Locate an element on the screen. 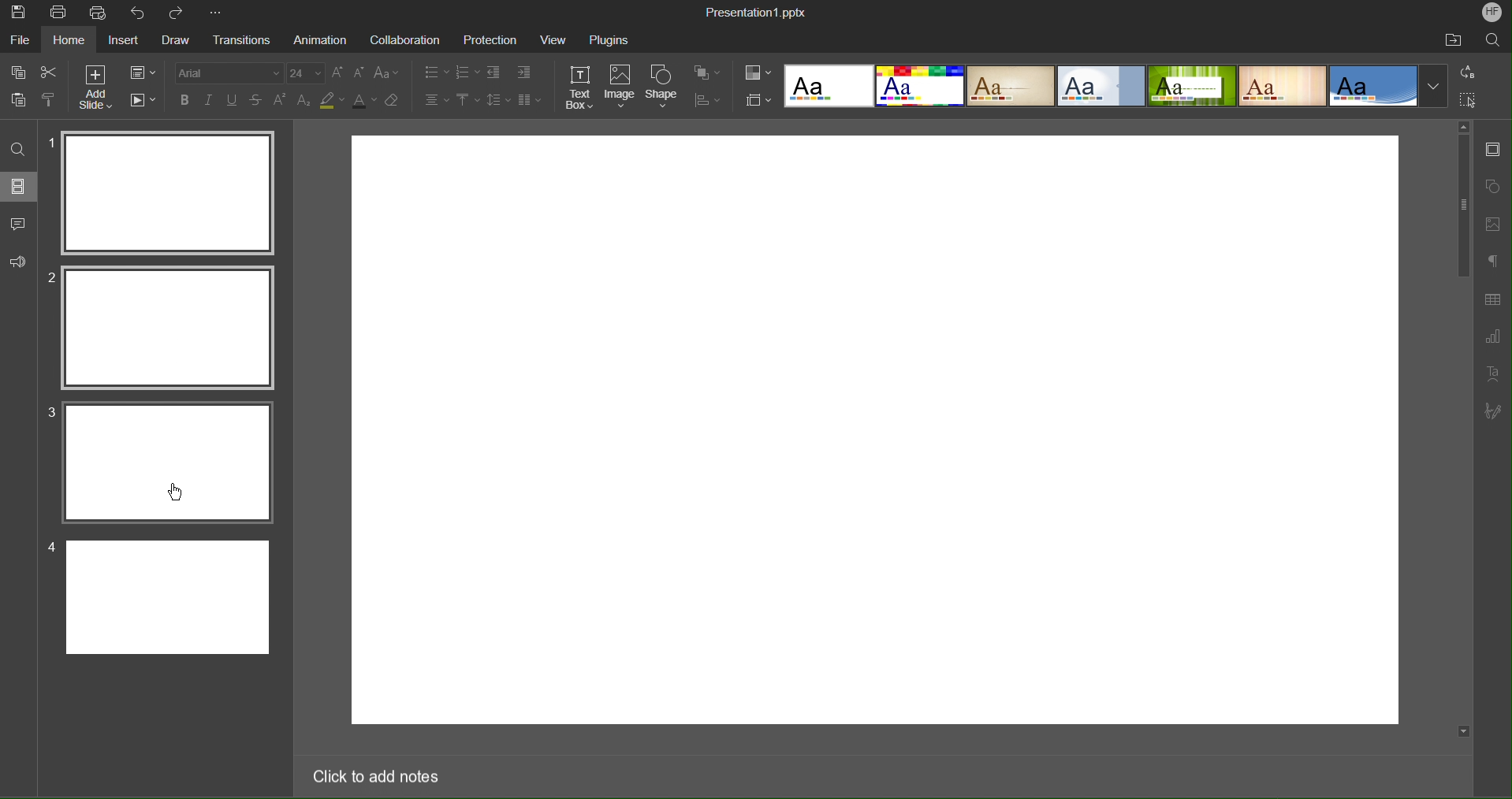 The height and width of the screenshot is (799, 1512). Insert is located at coordinates (126, 40).